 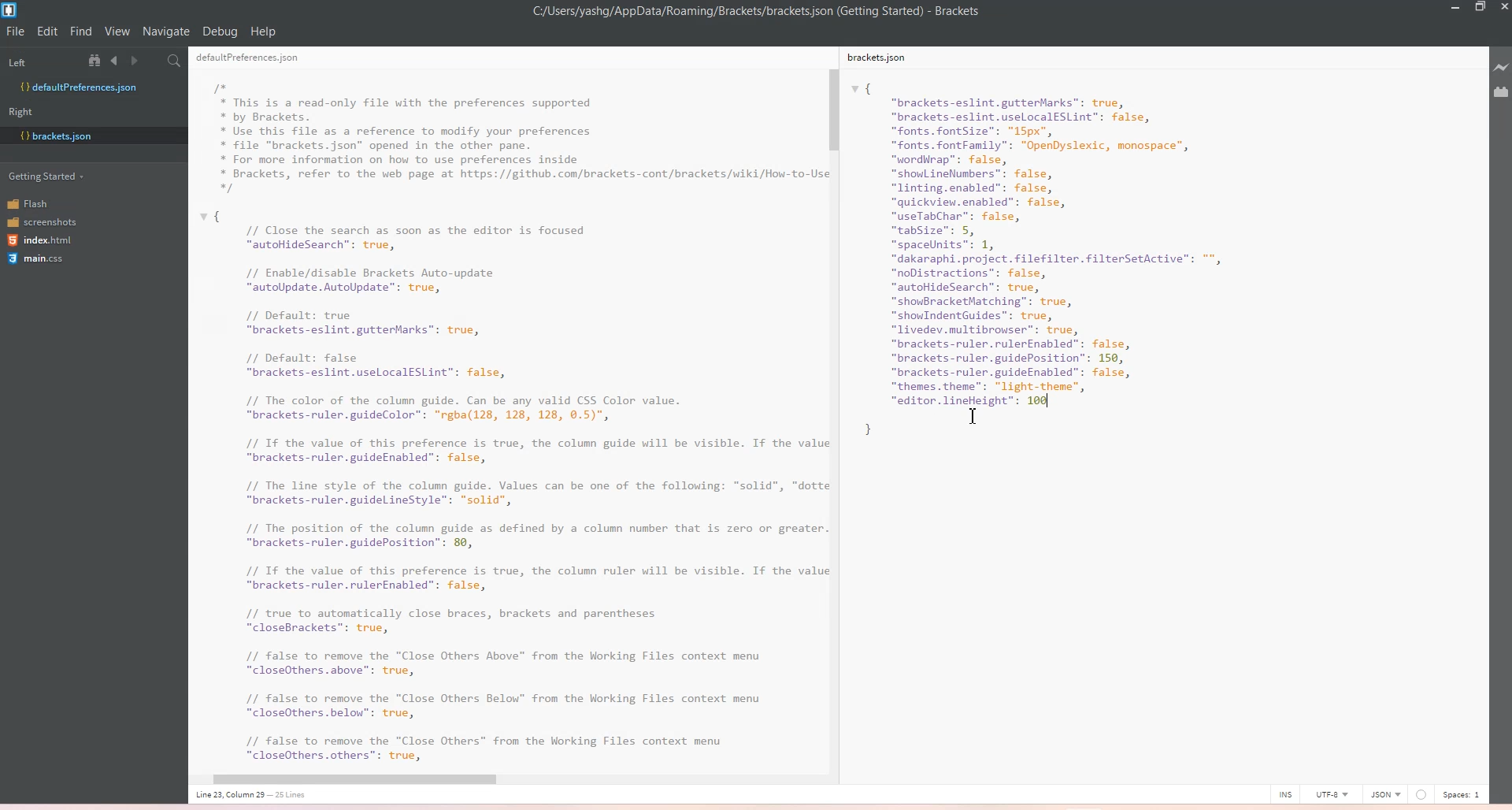 I want to click on defaultPreferences.json, so click(x=254, y=57).